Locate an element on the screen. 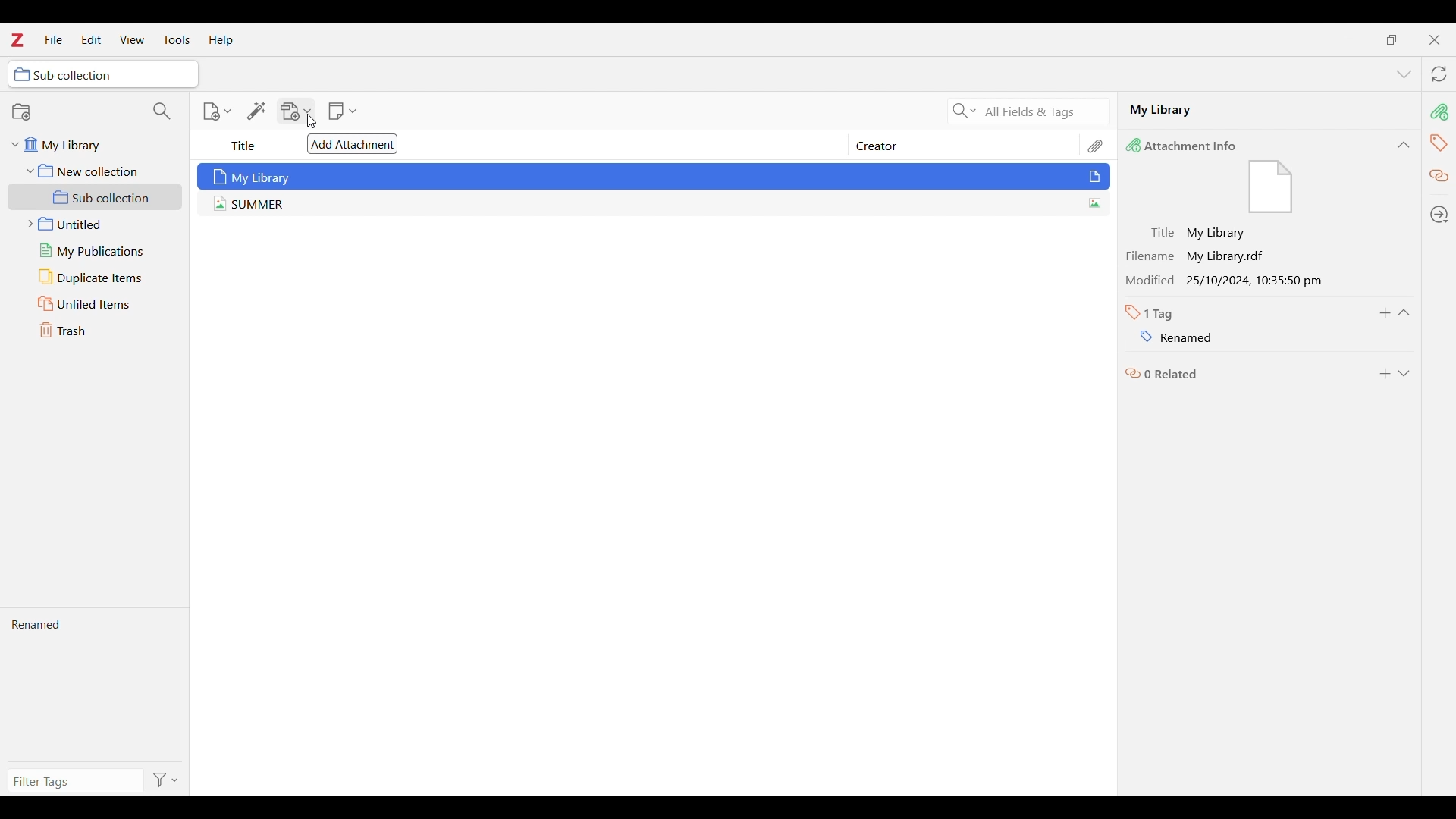 The width and height of the screenshot is (1456, 819). Close interface is located at coordinates (1434, 39).